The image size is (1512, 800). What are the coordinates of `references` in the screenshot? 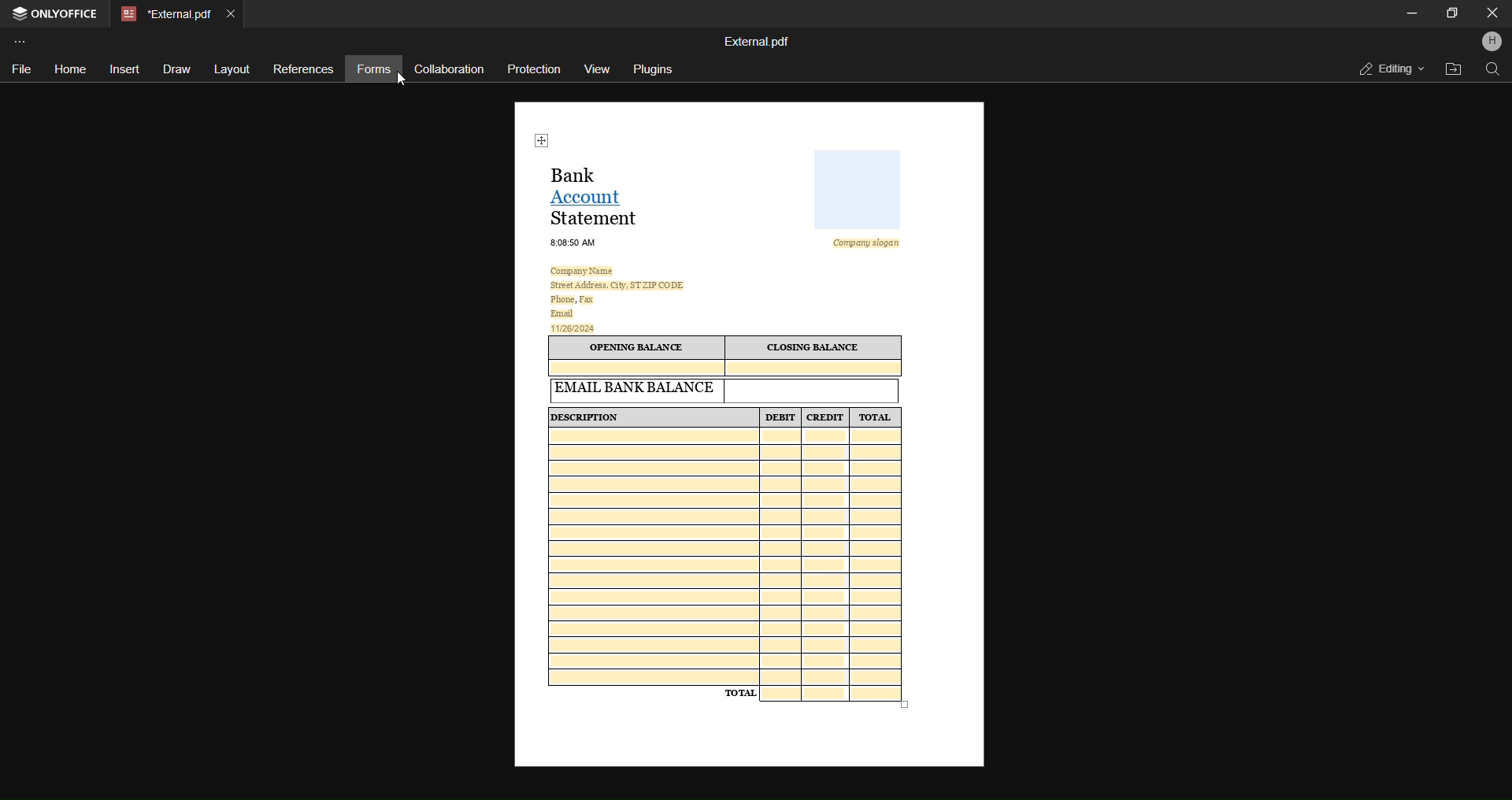 It's located at (301, 69).